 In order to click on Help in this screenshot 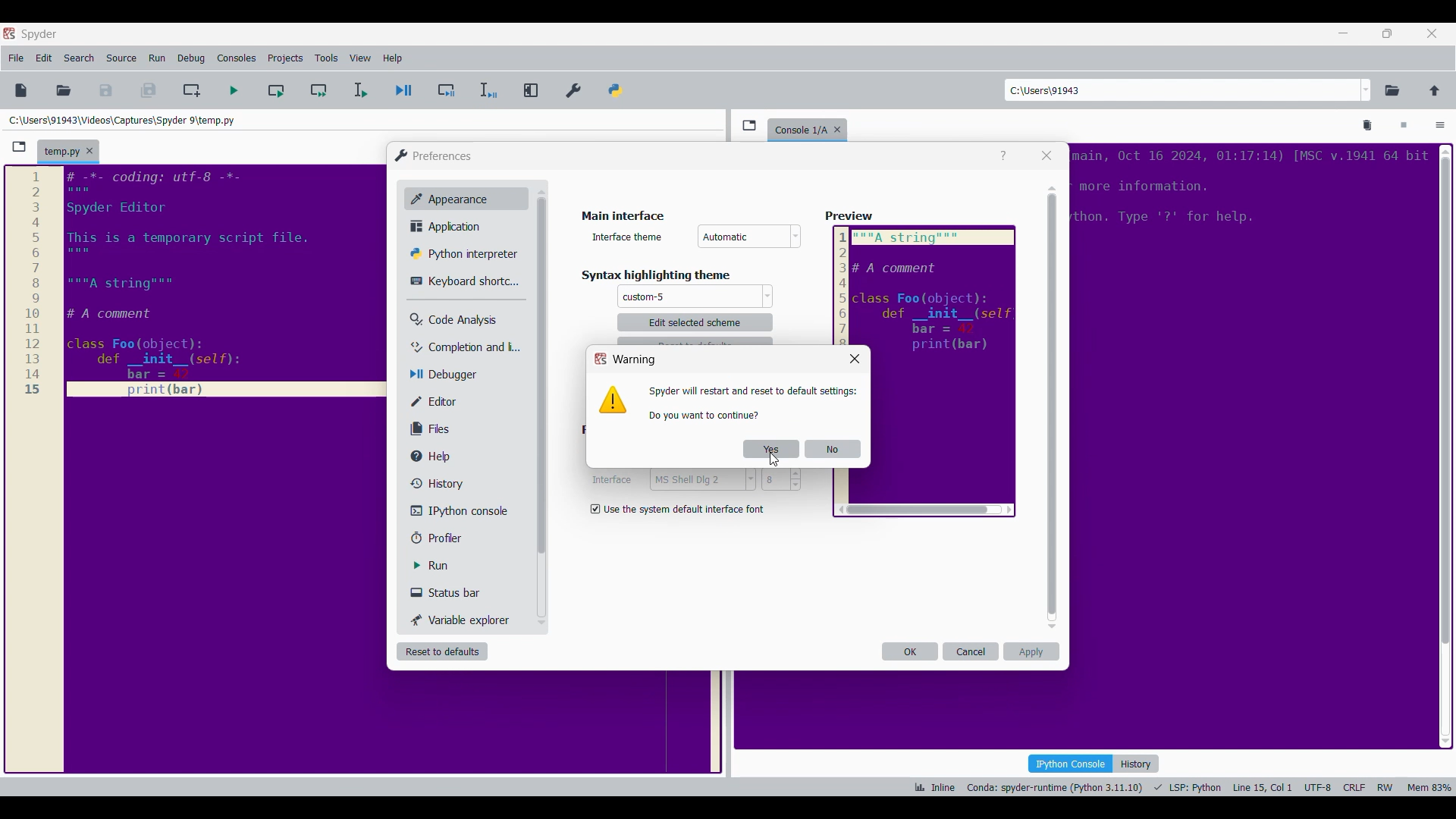, I will do `click(1003, 155)`.